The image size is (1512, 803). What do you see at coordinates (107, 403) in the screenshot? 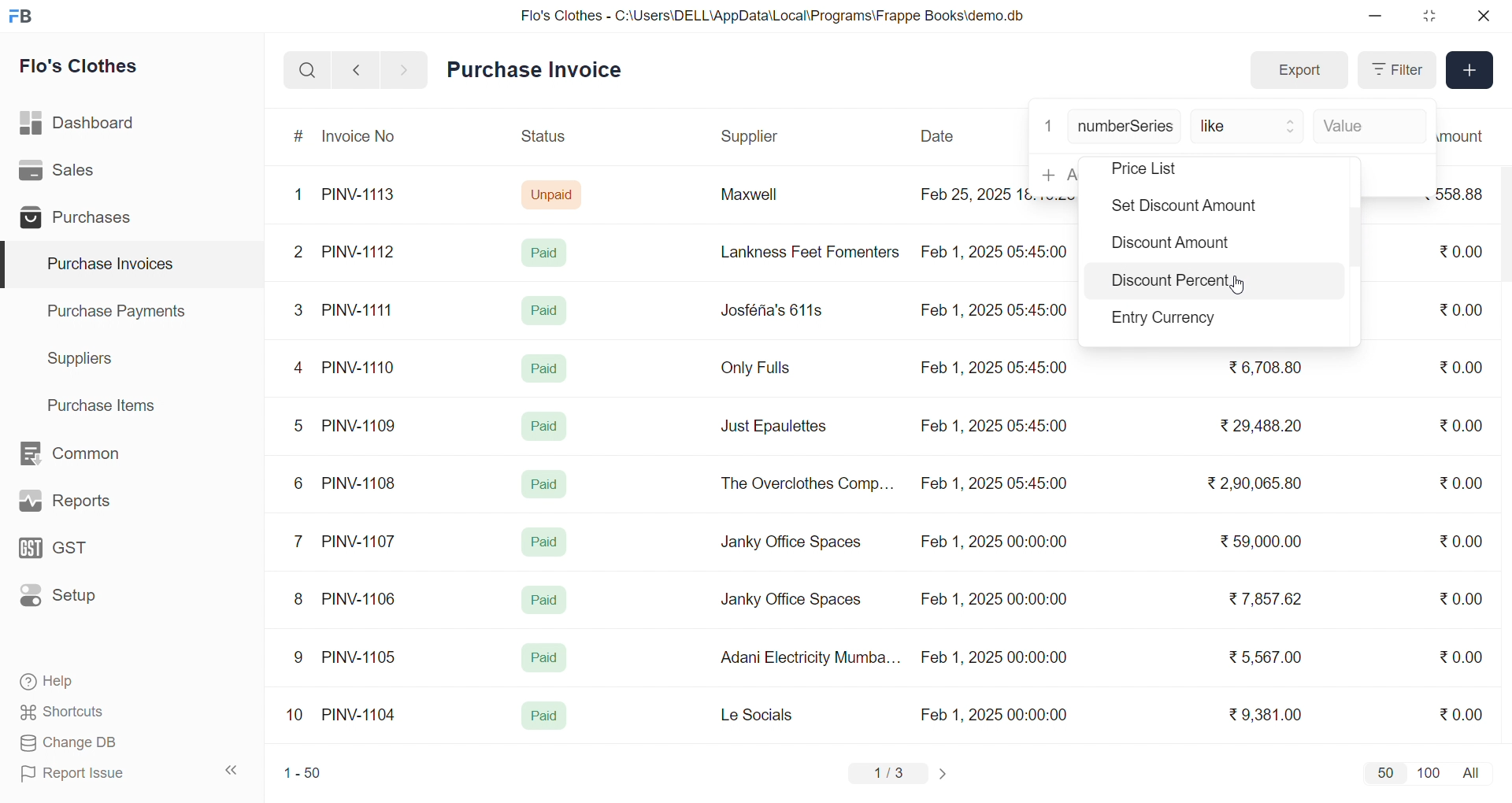
I see `Purchase Items` at bounding box center [107, 403].